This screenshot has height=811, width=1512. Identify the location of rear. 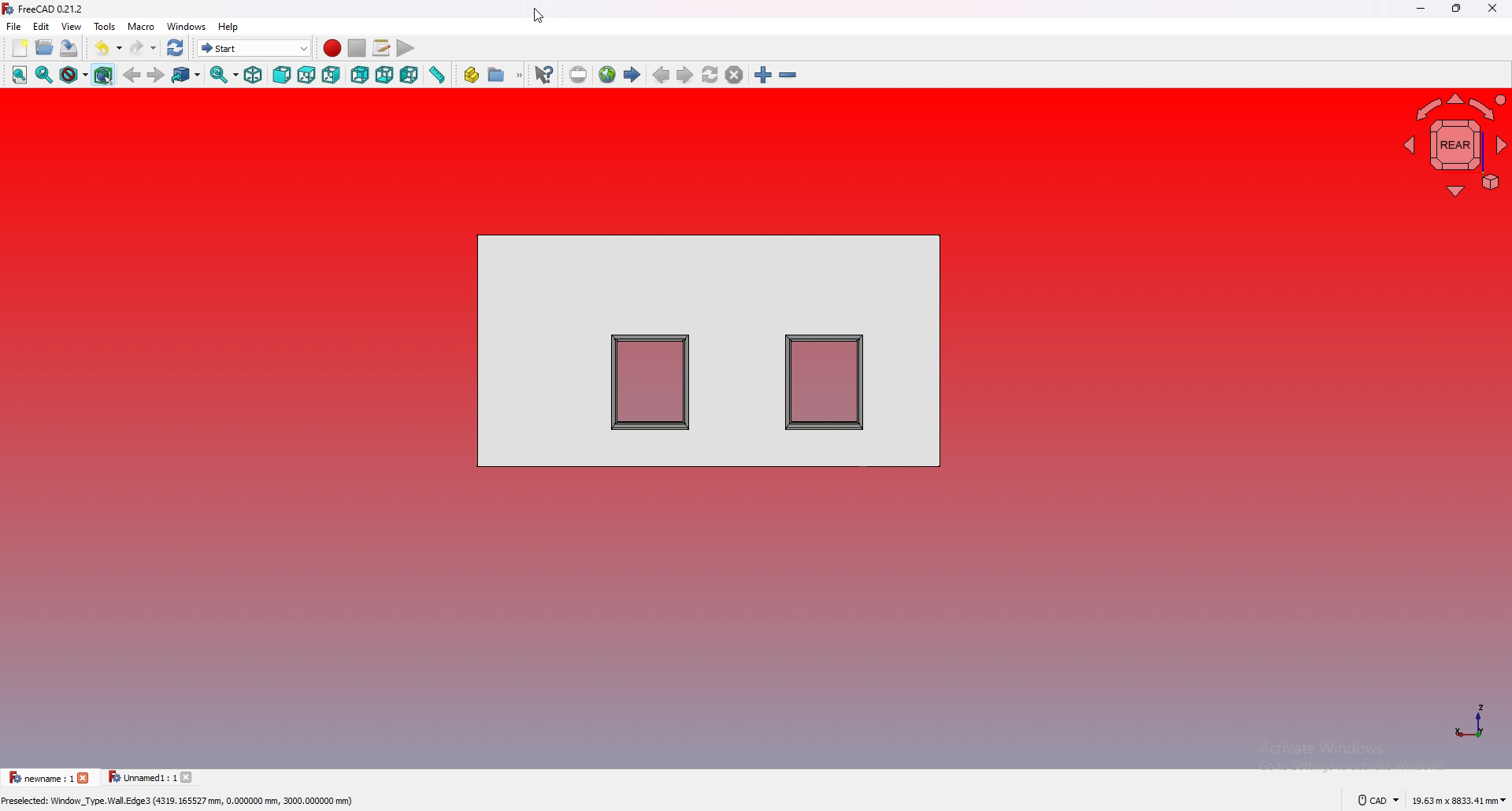
(361, 75).